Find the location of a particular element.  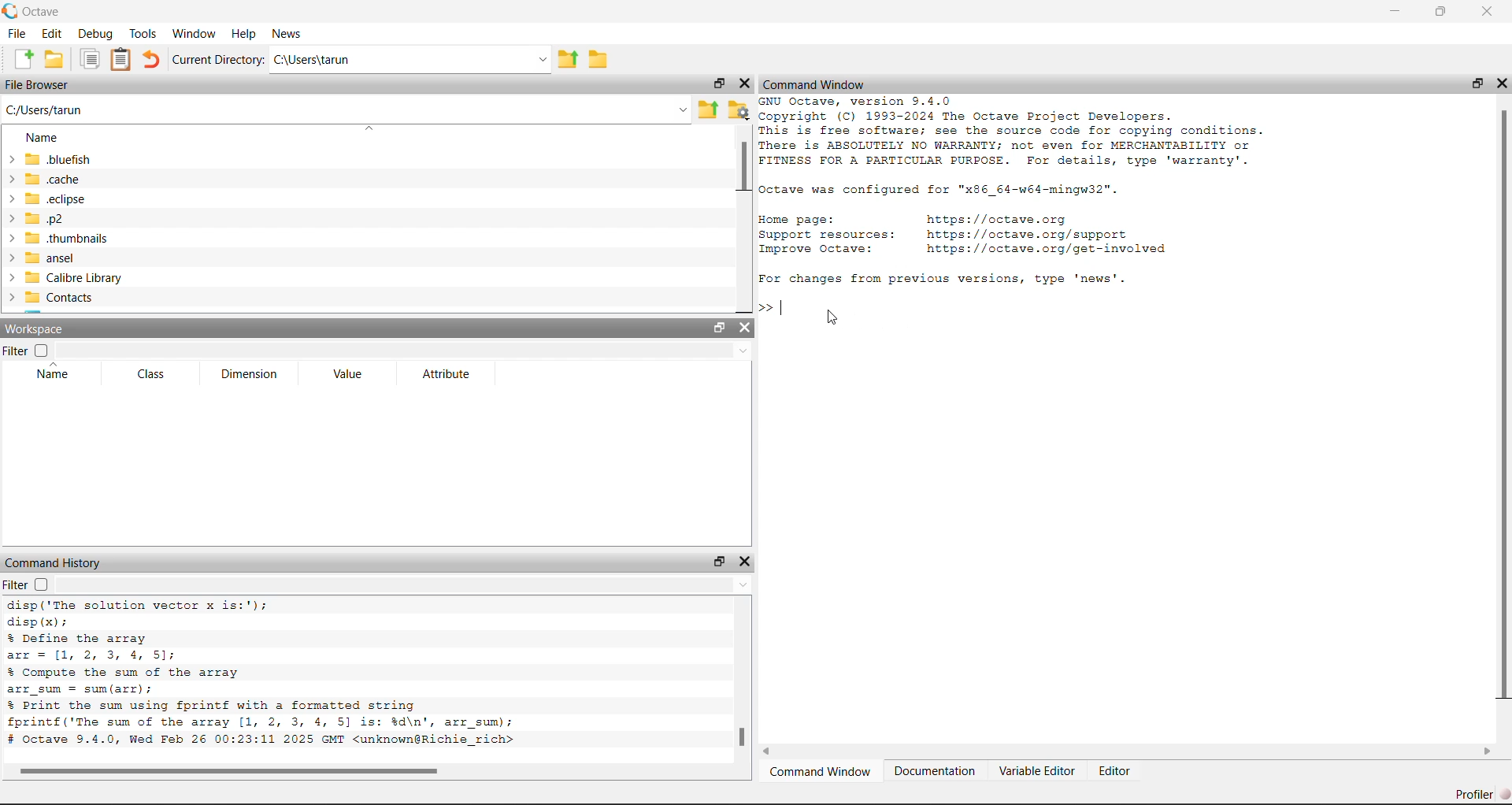

Cursor is located at coordinates (833, 319).